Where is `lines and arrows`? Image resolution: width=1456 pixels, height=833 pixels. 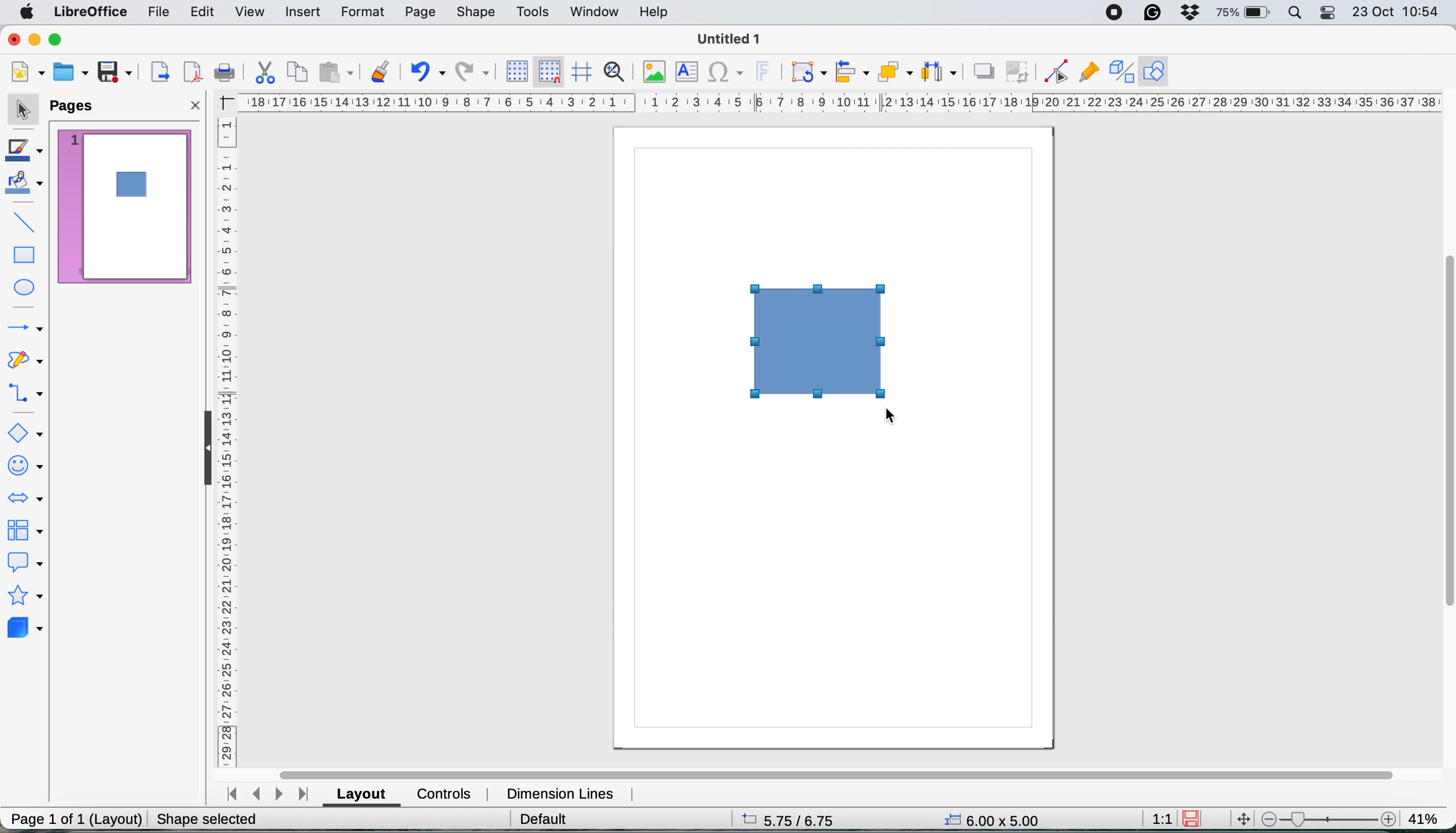
lines and arrows is located at coordinates (24, 329).